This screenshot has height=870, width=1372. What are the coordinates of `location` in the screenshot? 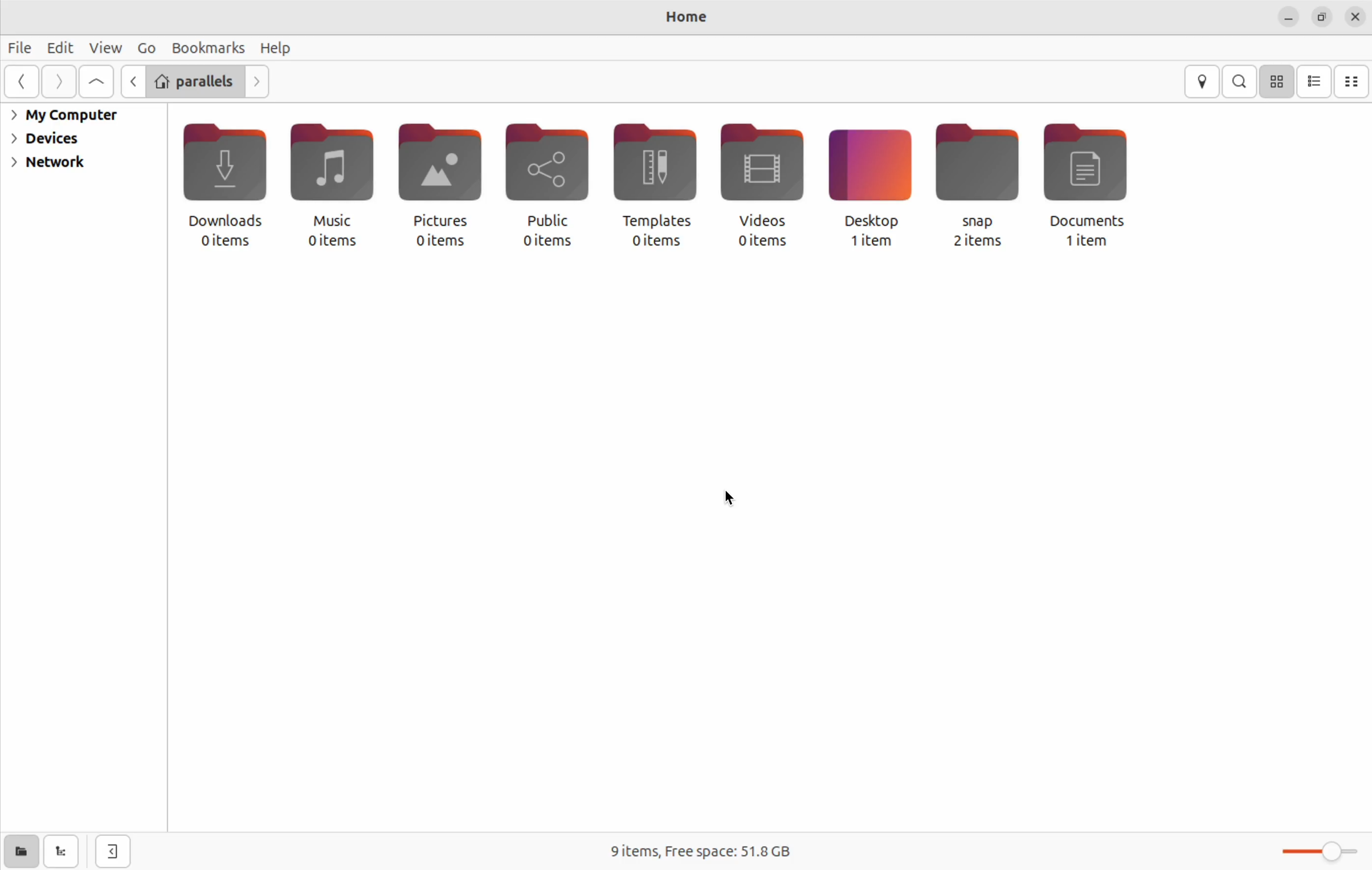 It's located at (1204, 83).